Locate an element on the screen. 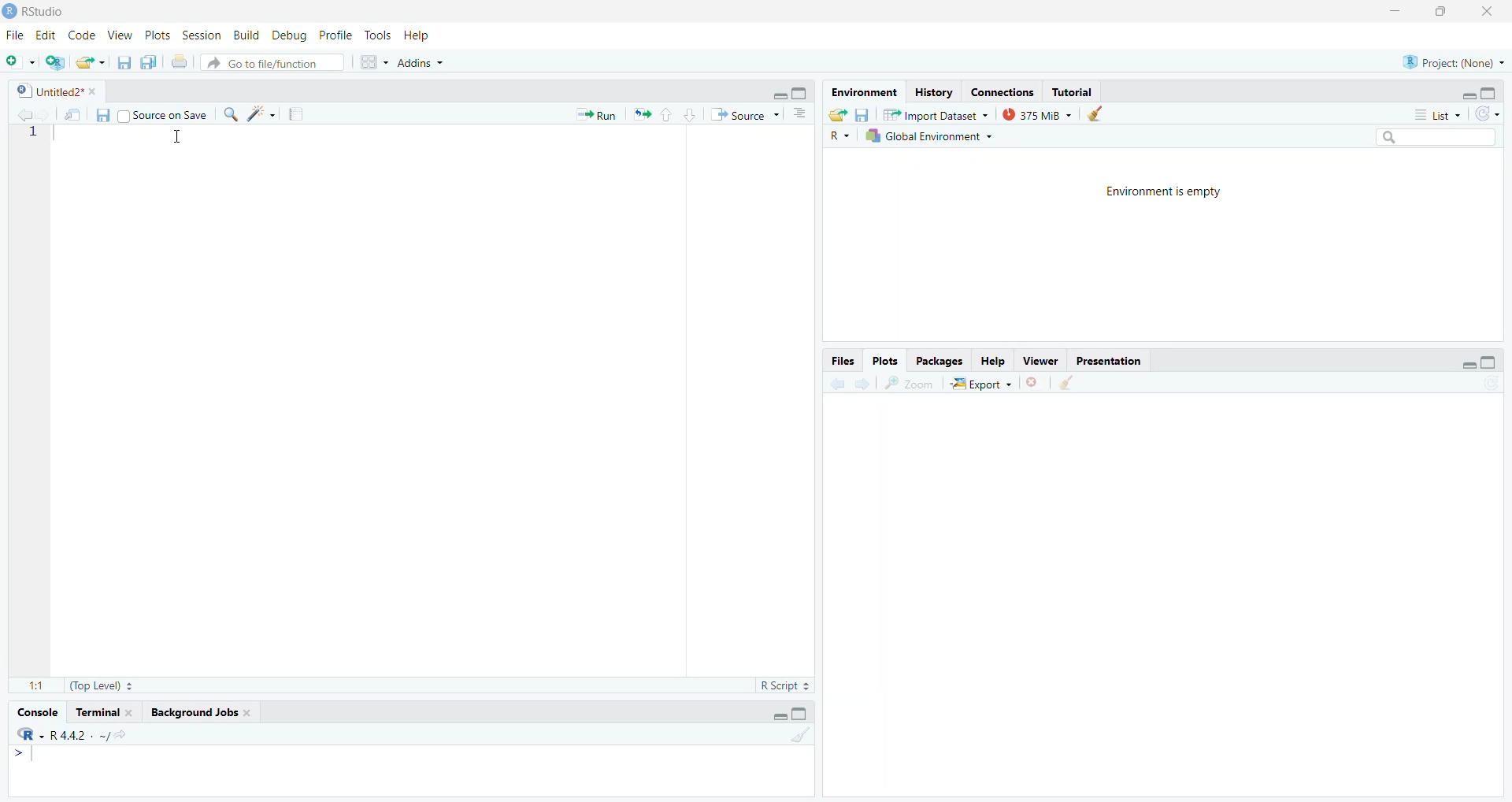  R is located at coordinates (839, 136).